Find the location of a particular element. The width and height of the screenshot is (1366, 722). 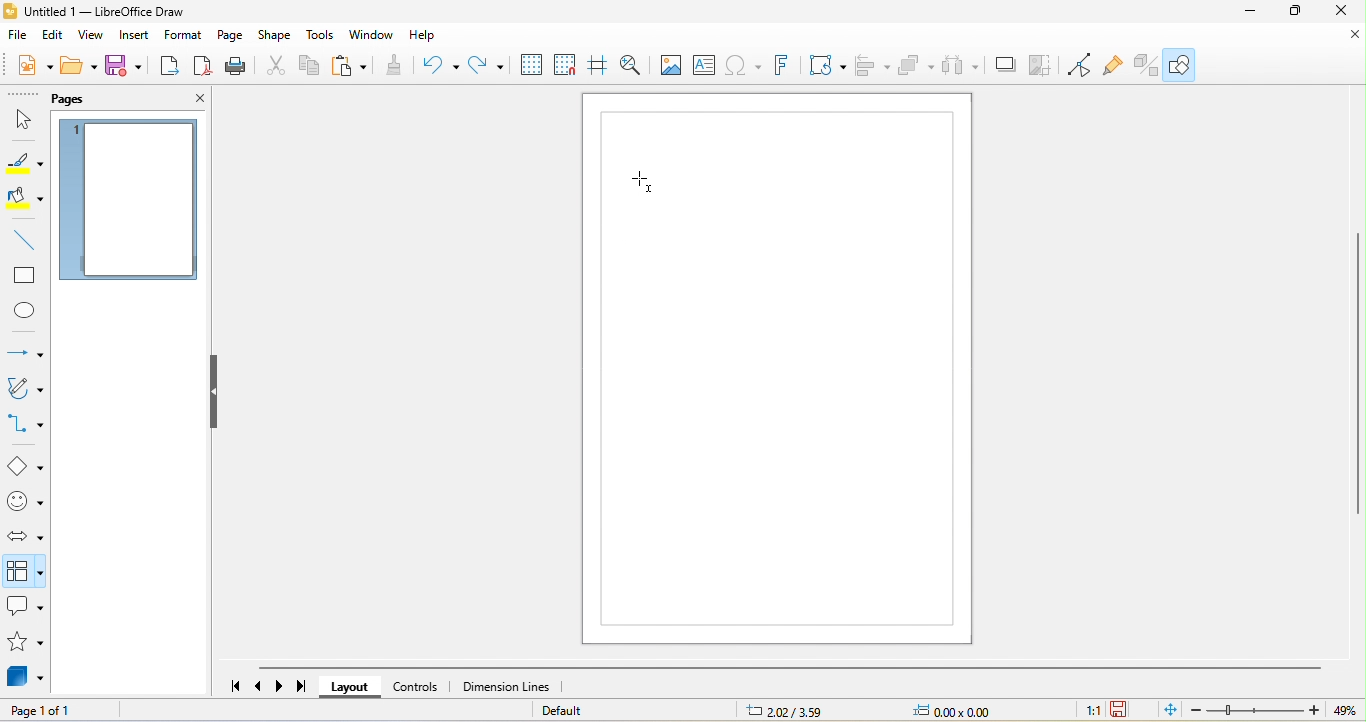

new is located at coordinates (35, 64).